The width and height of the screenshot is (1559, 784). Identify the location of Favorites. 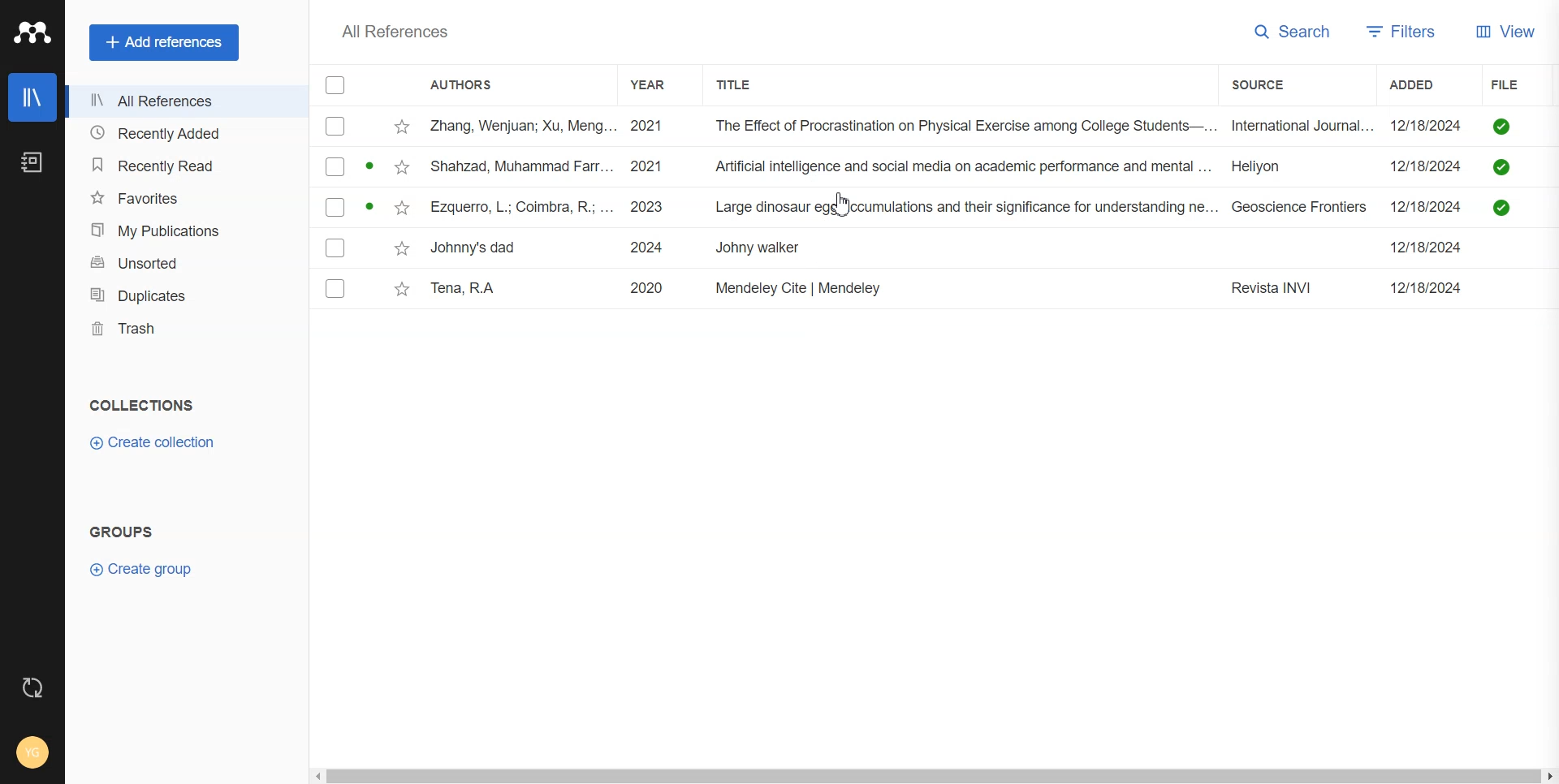
(184, 198).